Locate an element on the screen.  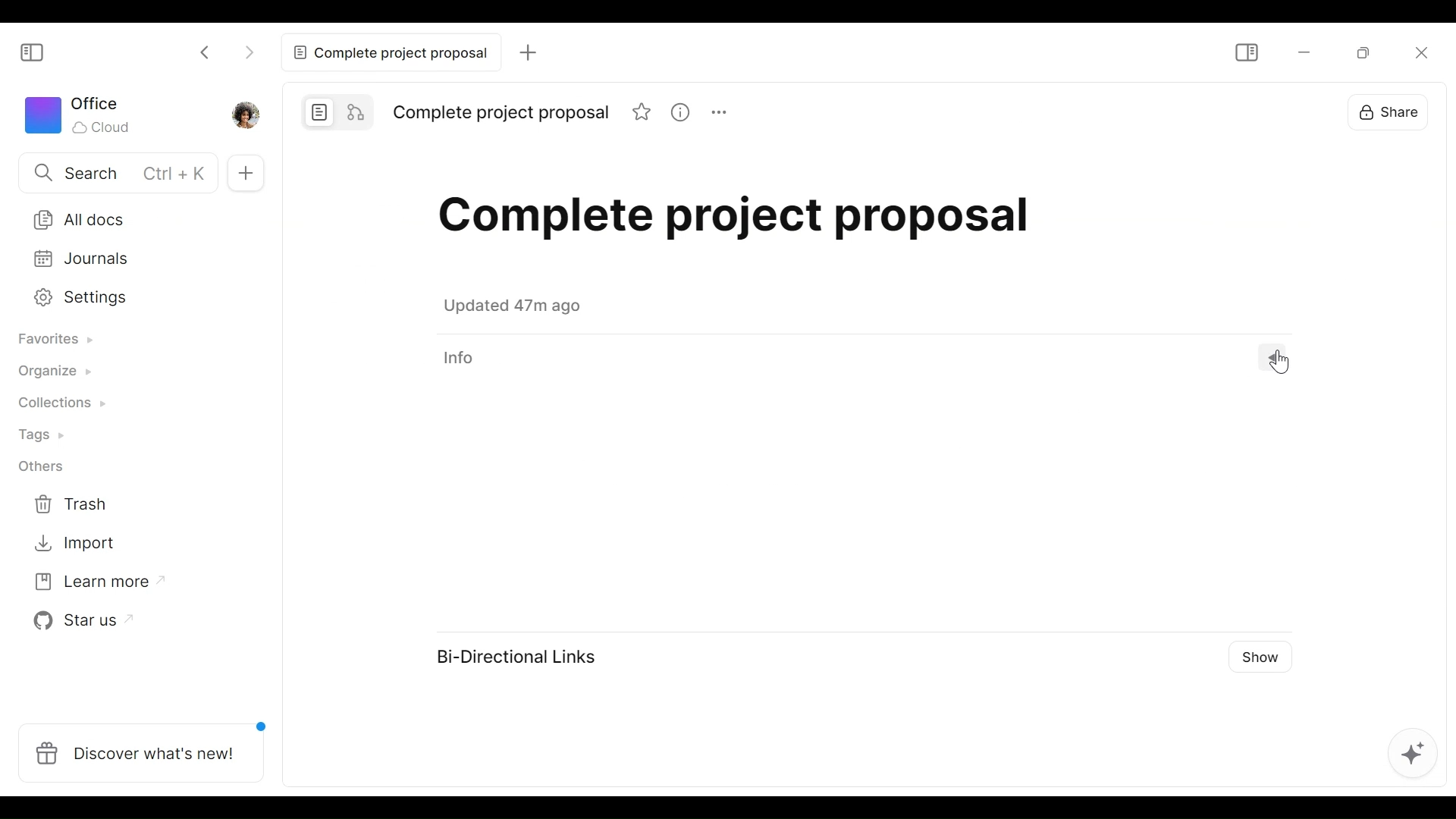
Close is located at coordinates (1418, 52).